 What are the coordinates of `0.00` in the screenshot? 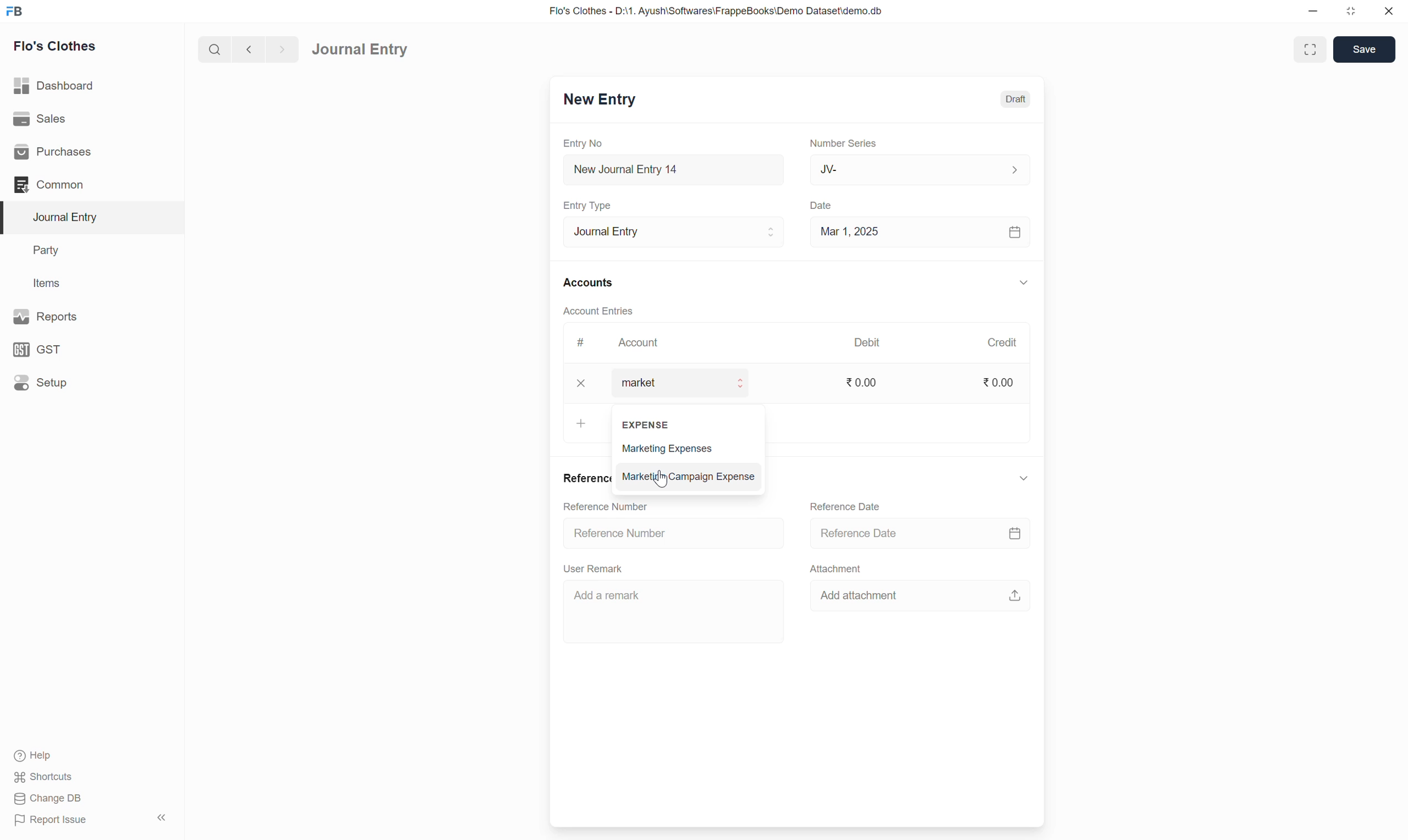 It's located at (999, 382).